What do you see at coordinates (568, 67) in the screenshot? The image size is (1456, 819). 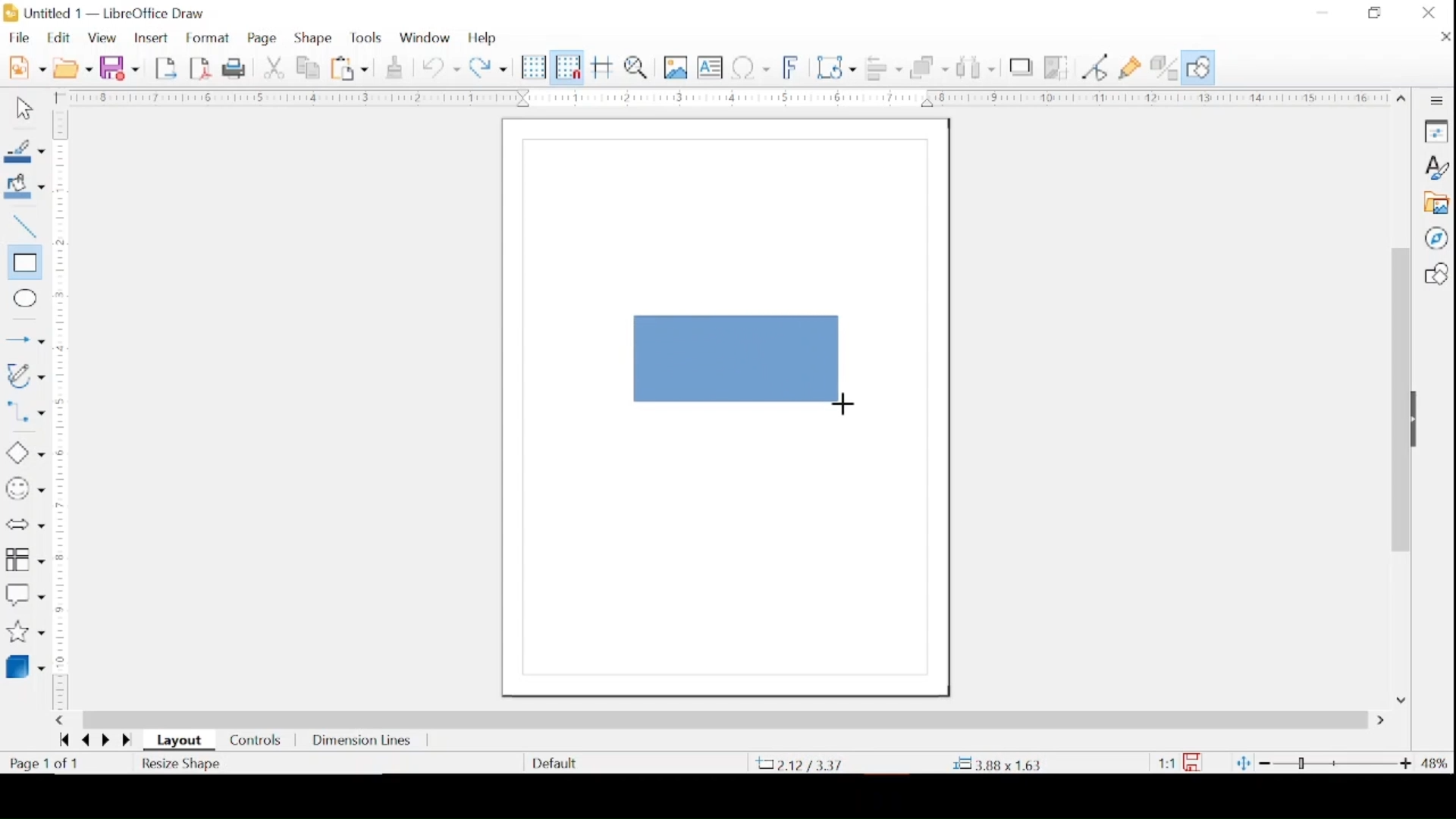 I see `snap to grid` at bounding box center [568, 67].